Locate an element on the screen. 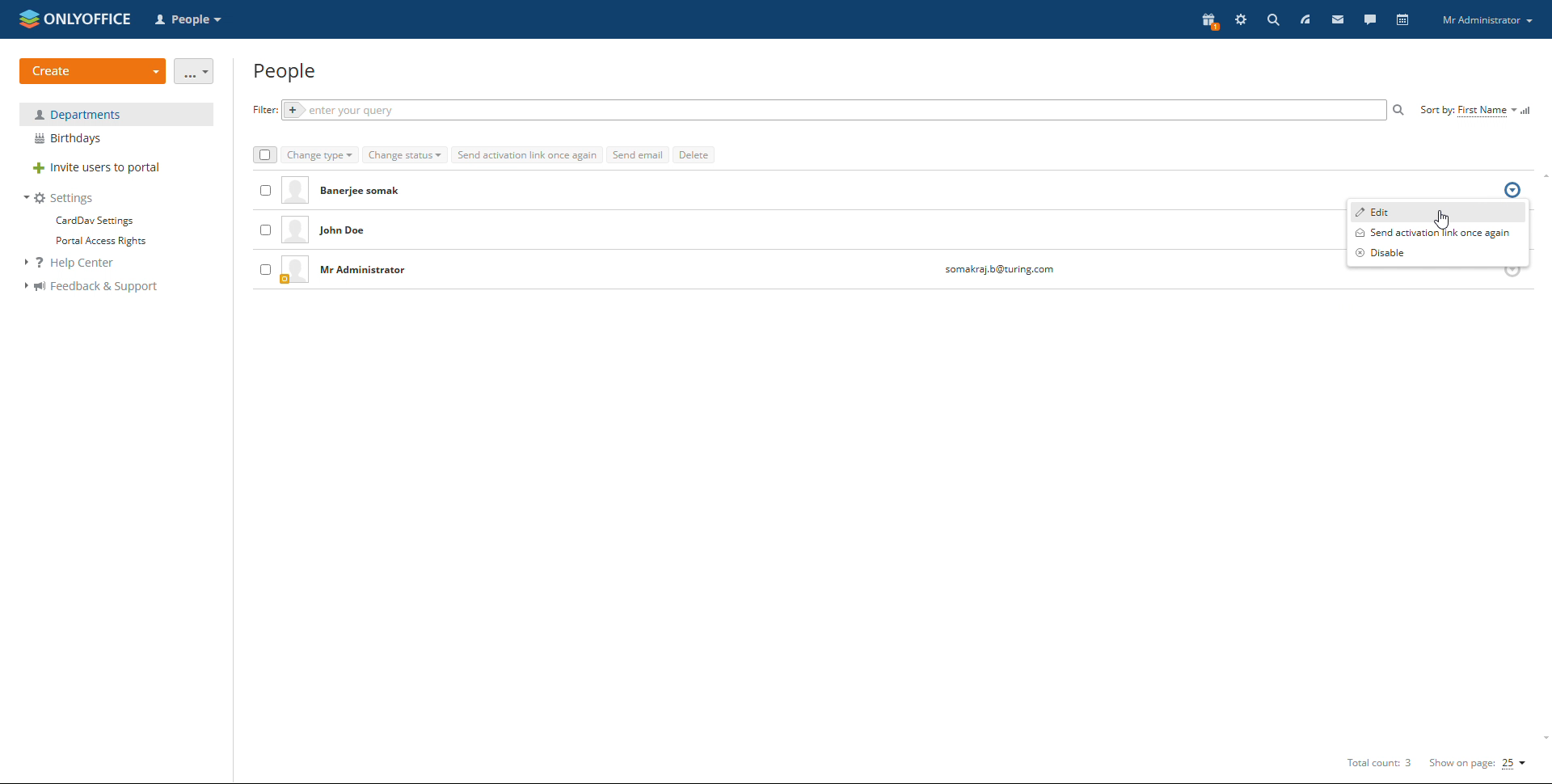  select all is located at coordinates (264, 155).